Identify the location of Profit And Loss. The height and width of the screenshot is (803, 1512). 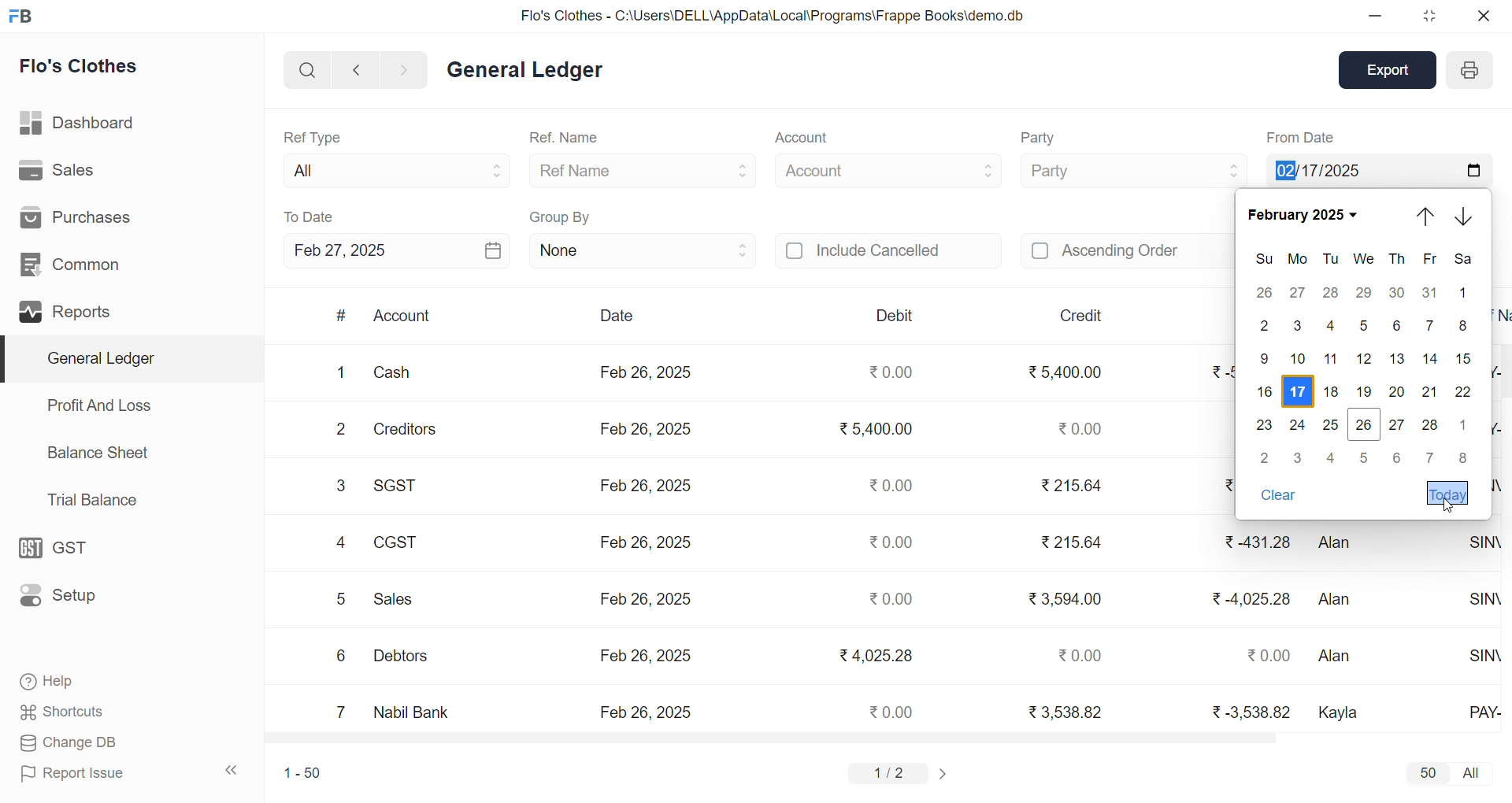
(98, 405).